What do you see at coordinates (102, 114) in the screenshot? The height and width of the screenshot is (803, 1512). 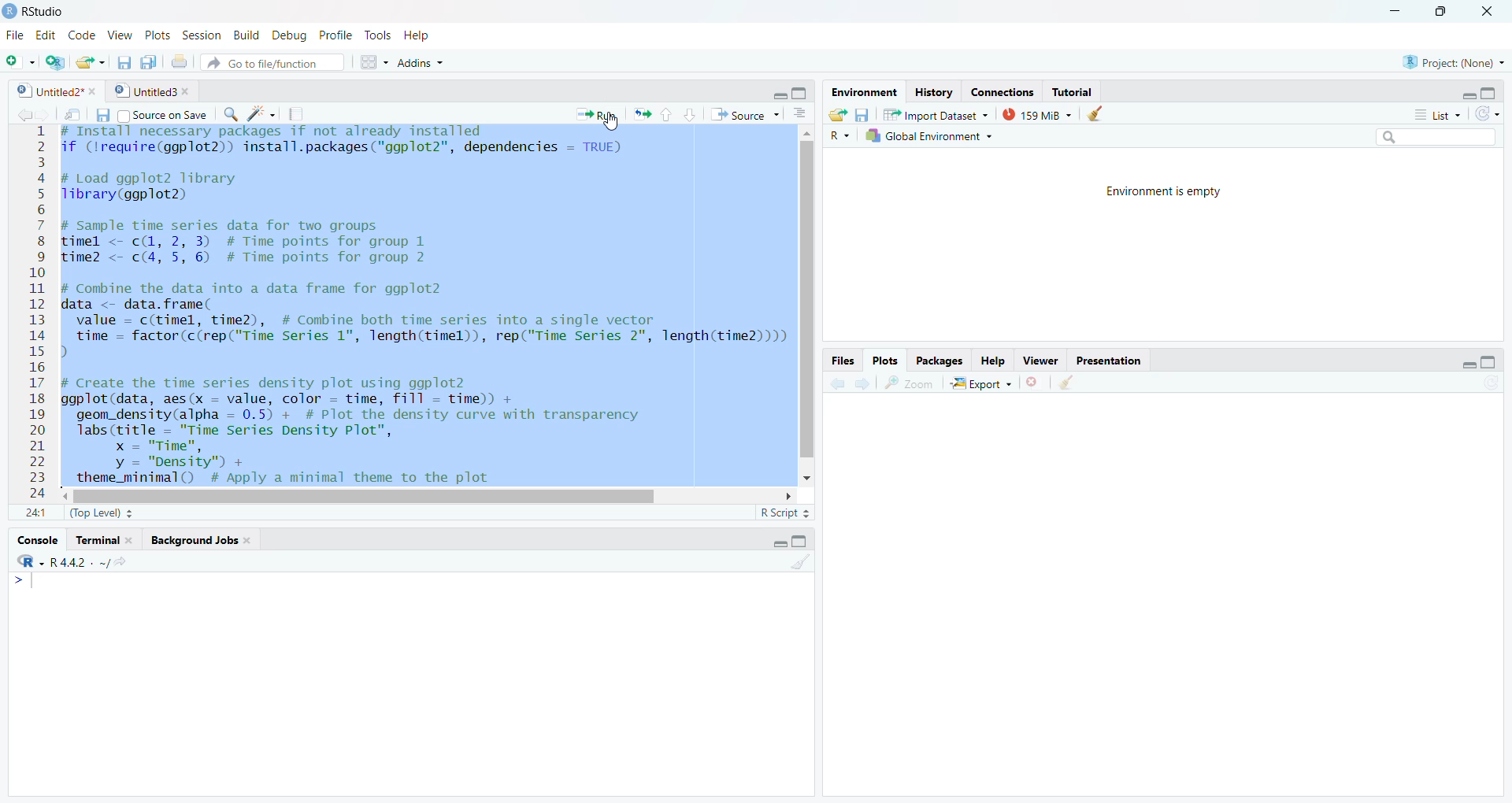 I see `Save` at bounding box center [102, 114].